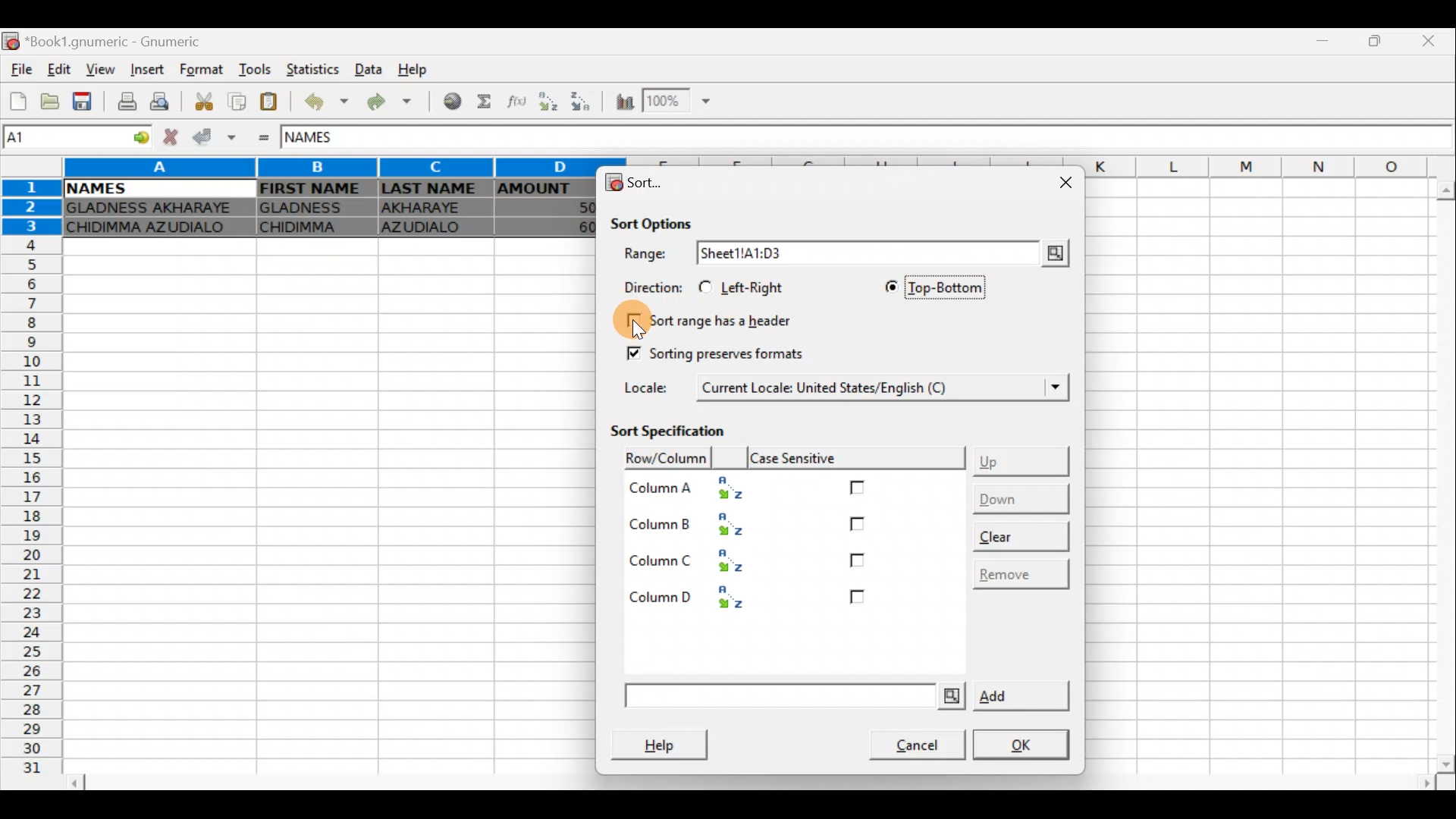 This screenshot has width=1456, height=819. Describe the element at coordinates (748, 287) in the screenshot. I see `Left-right` at that location.